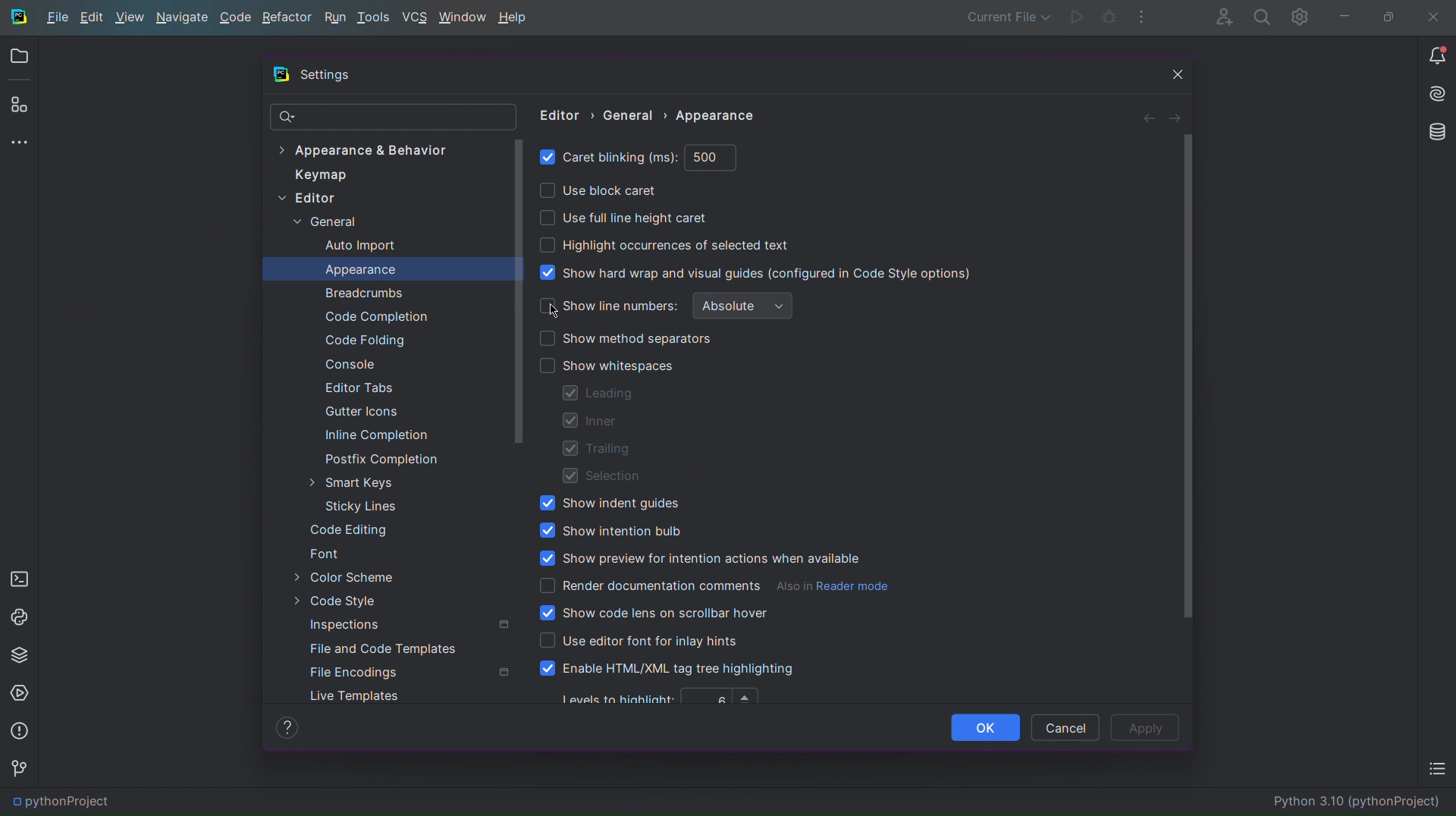 The image size is (1456, 816). What do you see at coordinates (19, 769) in the screenshot?
I see `Version Control` at bounding box center [19, 769].